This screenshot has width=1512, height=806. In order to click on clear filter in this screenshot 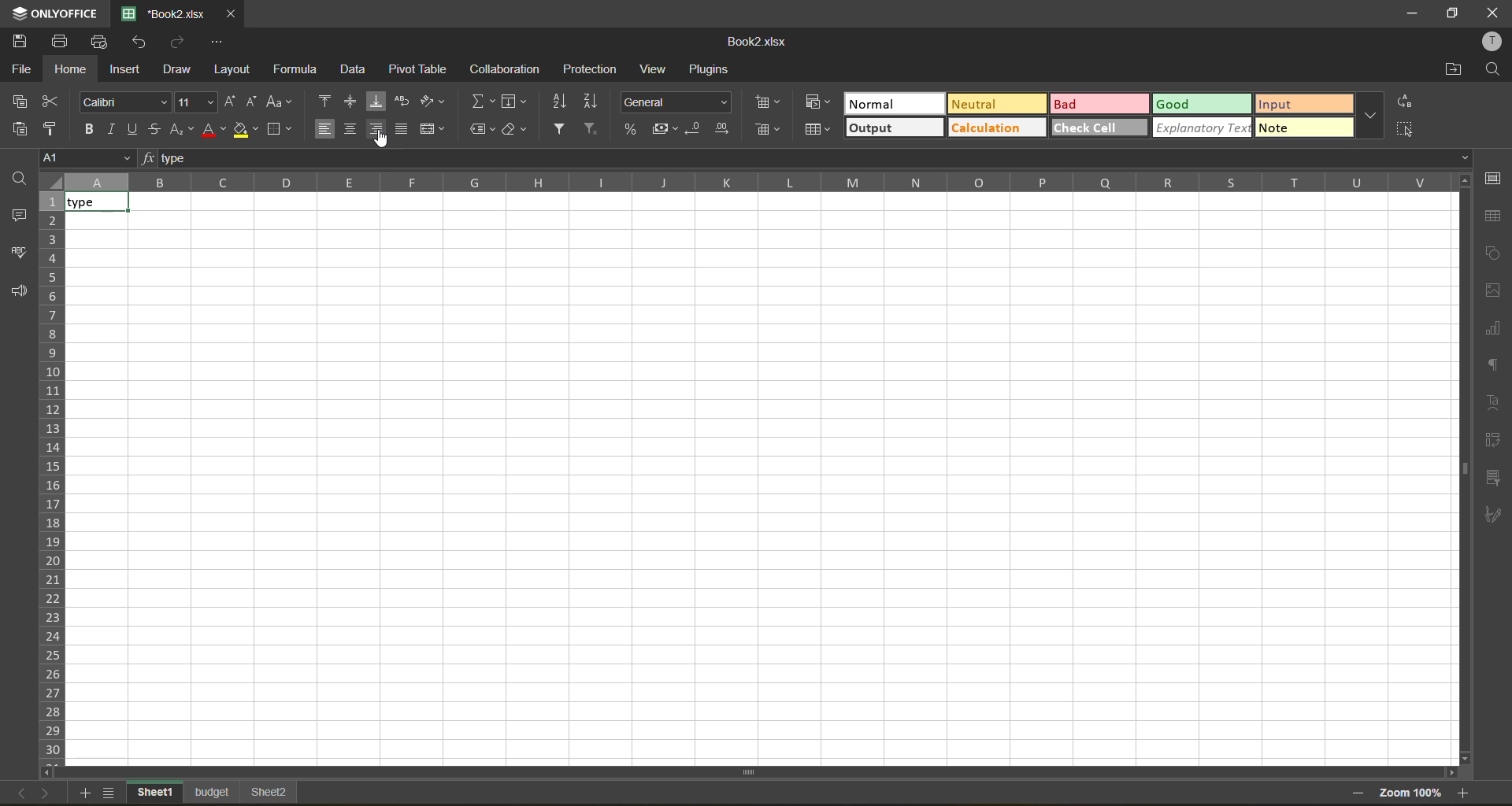, I will do `click(590, 130)`.